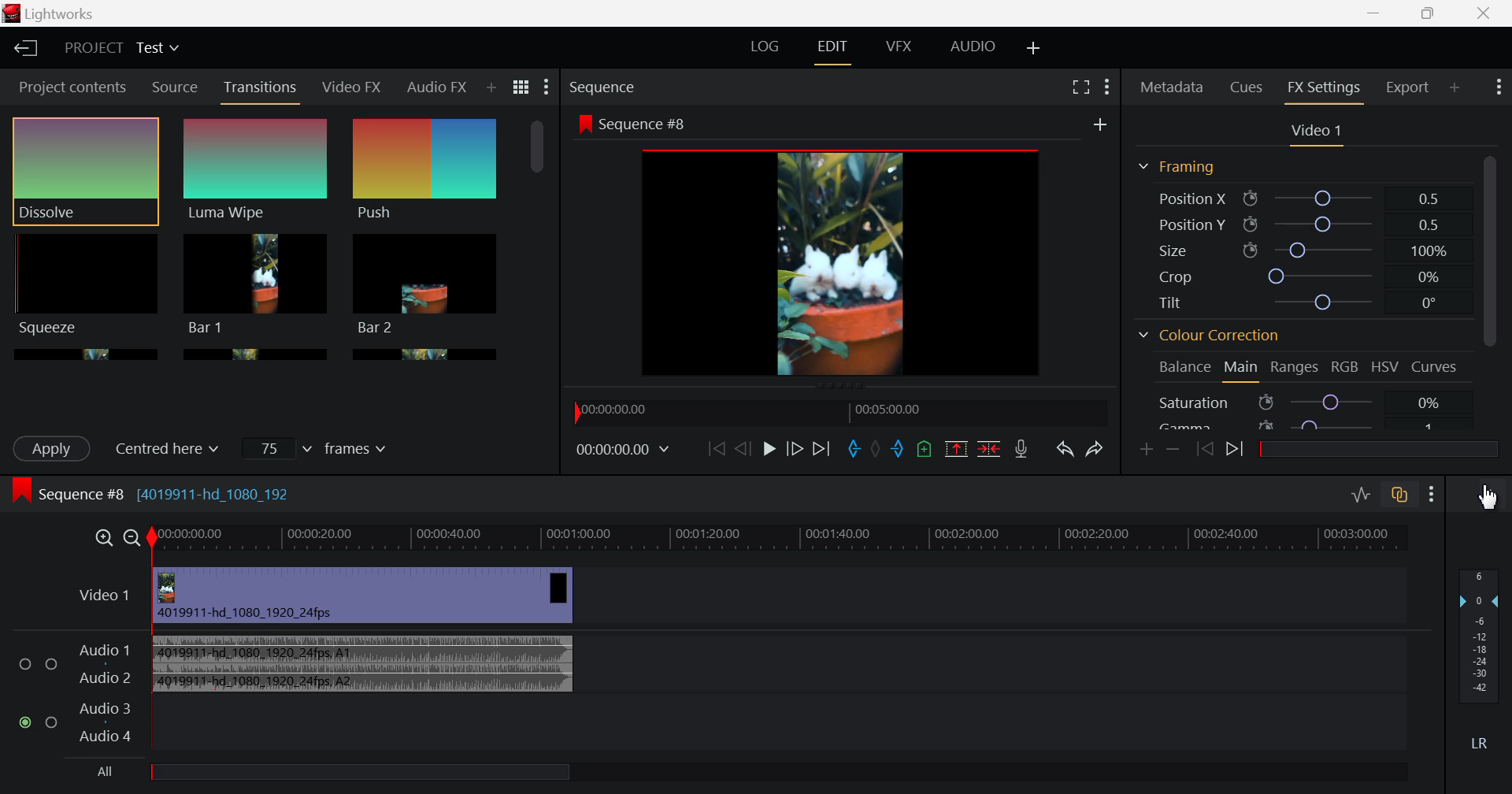 The width and height of the screenshot is (1512, 794). I want to click on Ranges, so click(1295, 368).